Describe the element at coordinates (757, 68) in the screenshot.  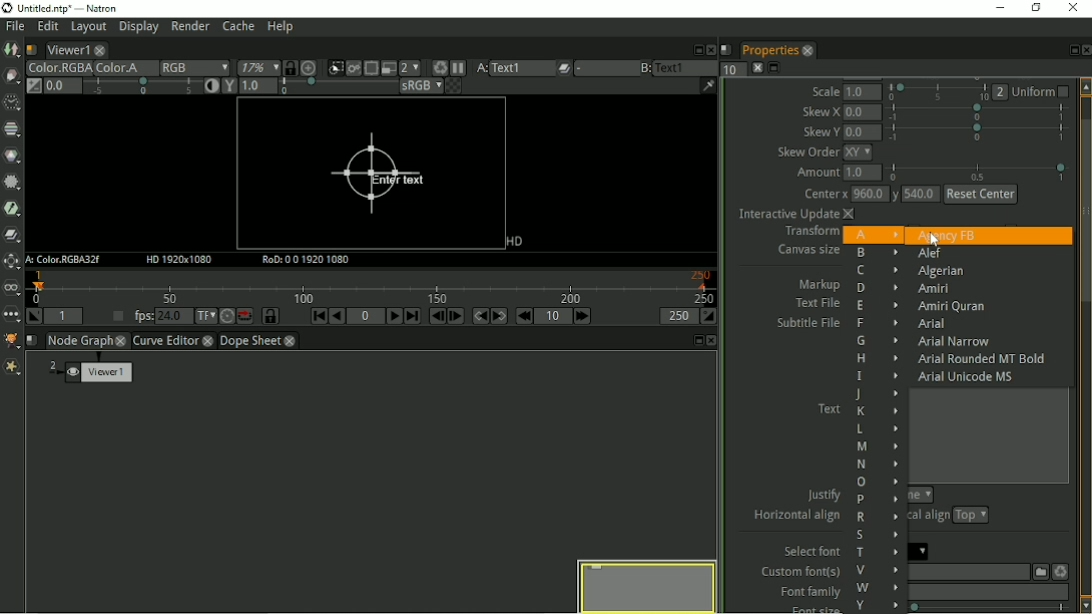
I see `Clear all panels` at that location.